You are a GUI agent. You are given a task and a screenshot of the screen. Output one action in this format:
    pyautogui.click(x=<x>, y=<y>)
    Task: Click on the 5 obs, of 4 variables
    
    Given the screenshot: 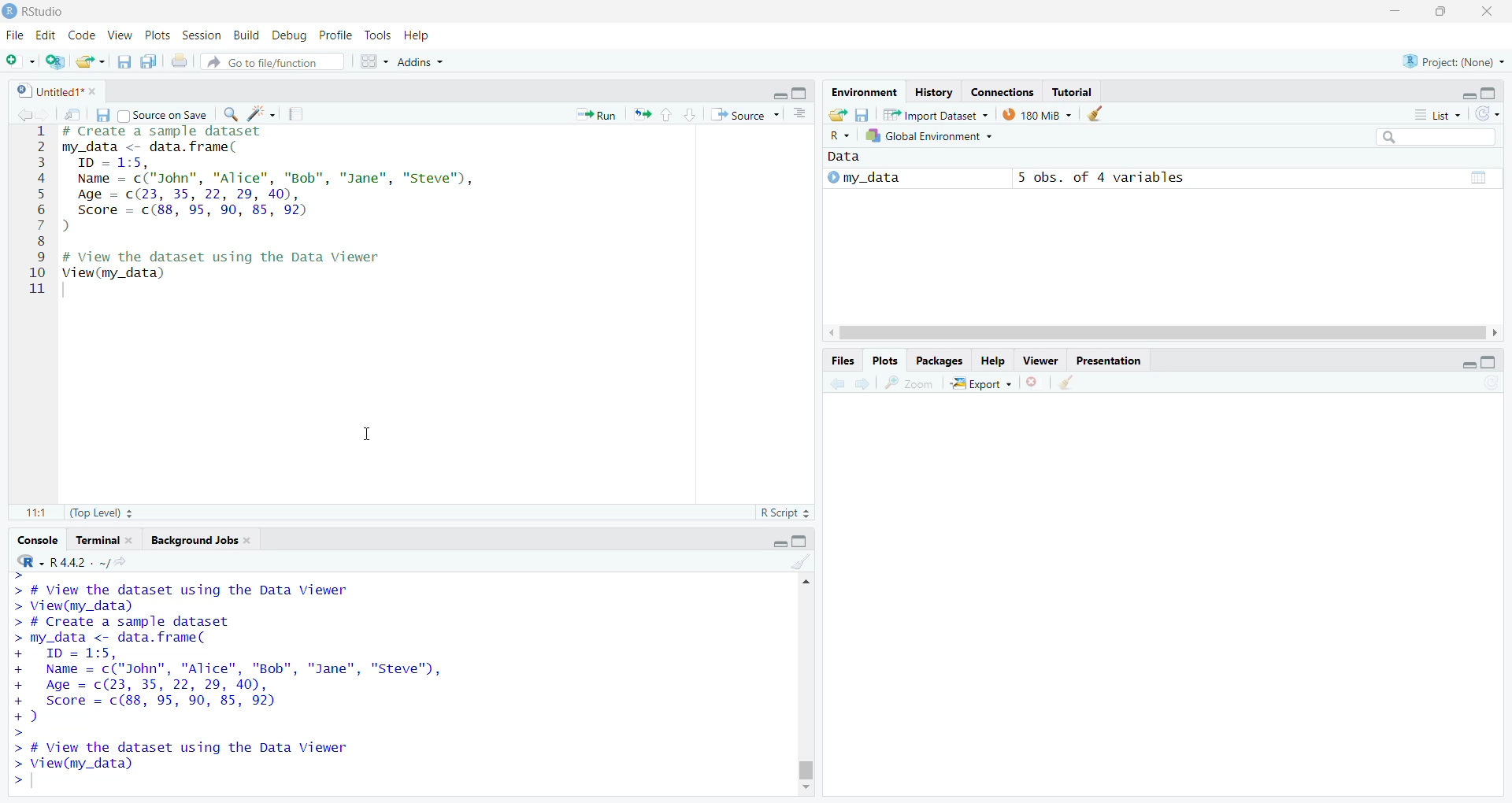 What is the action you would take?
    pyautogui.click(x=1102, y=176)
    